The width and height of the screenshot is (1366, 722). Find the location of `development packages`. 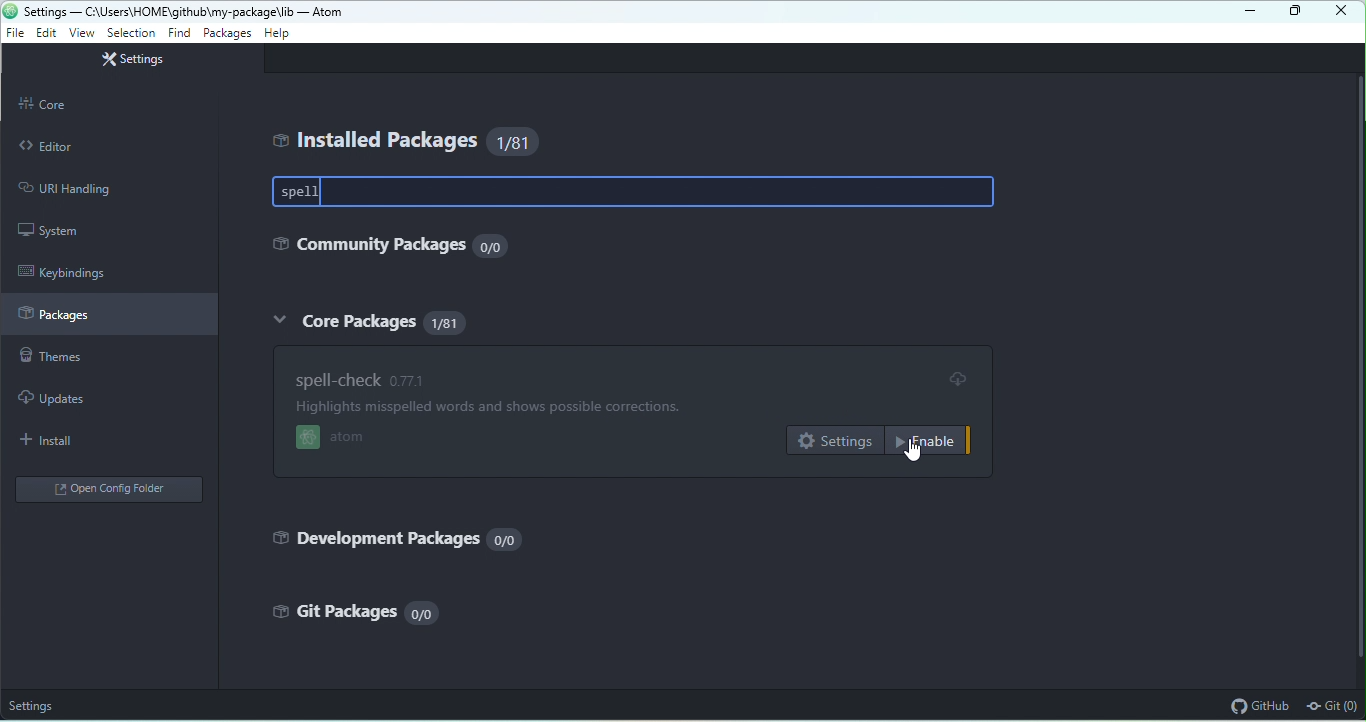

development packages is located at coordinates (372, 540).